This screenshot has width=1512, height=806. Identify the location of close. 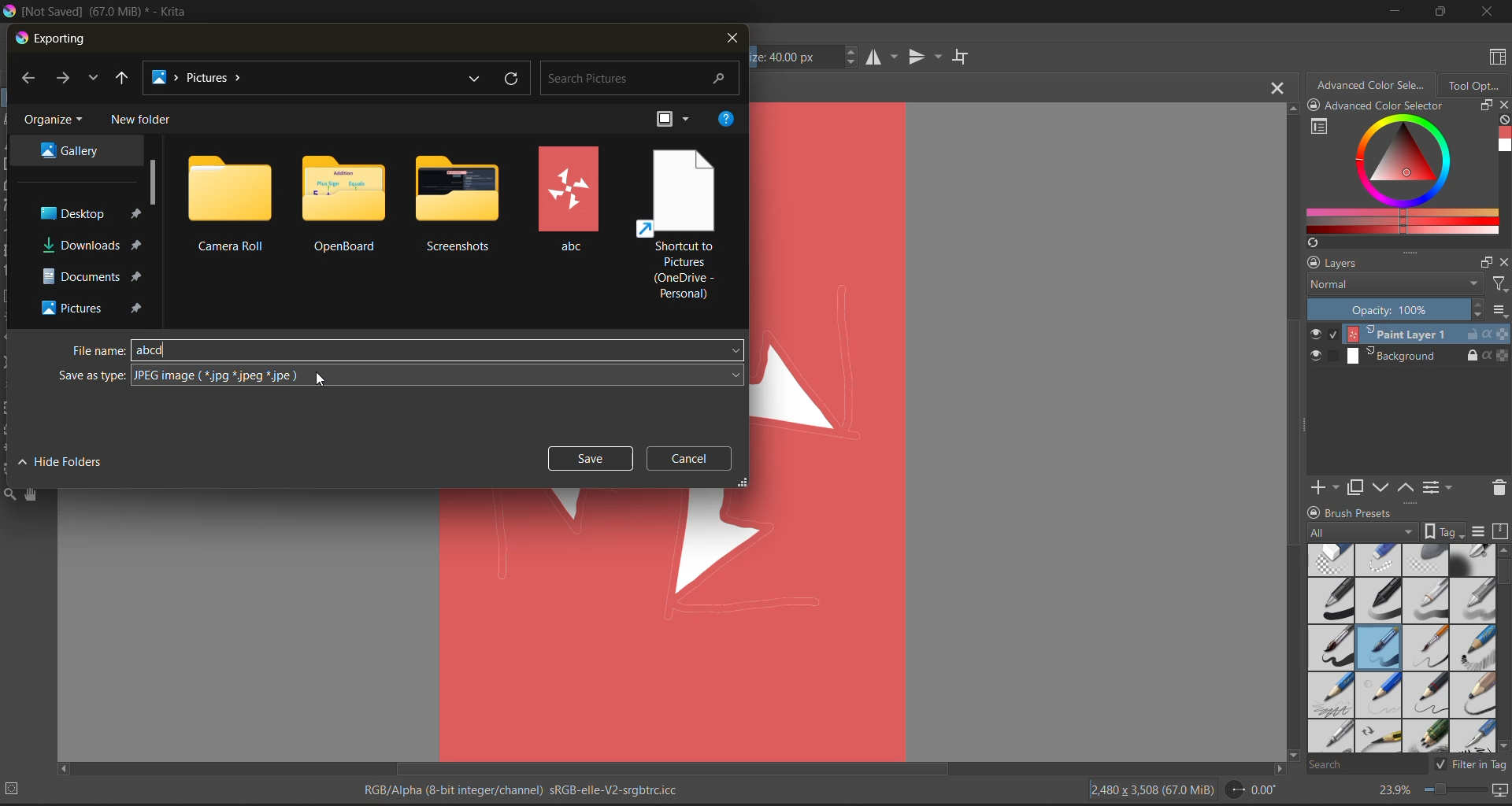
(1503, 264).